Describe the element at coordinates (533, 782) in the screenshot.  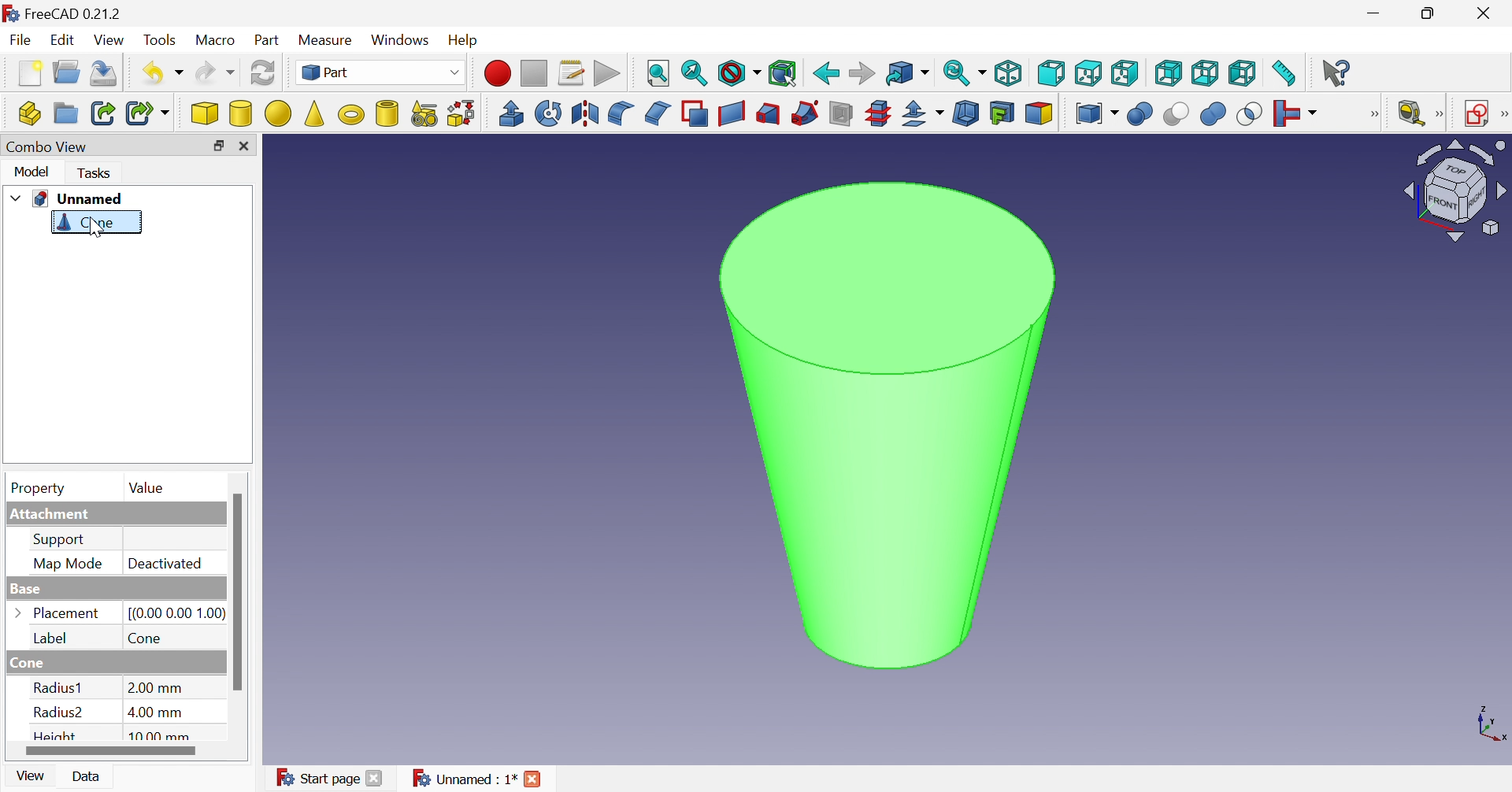
I see `Close` at that location.